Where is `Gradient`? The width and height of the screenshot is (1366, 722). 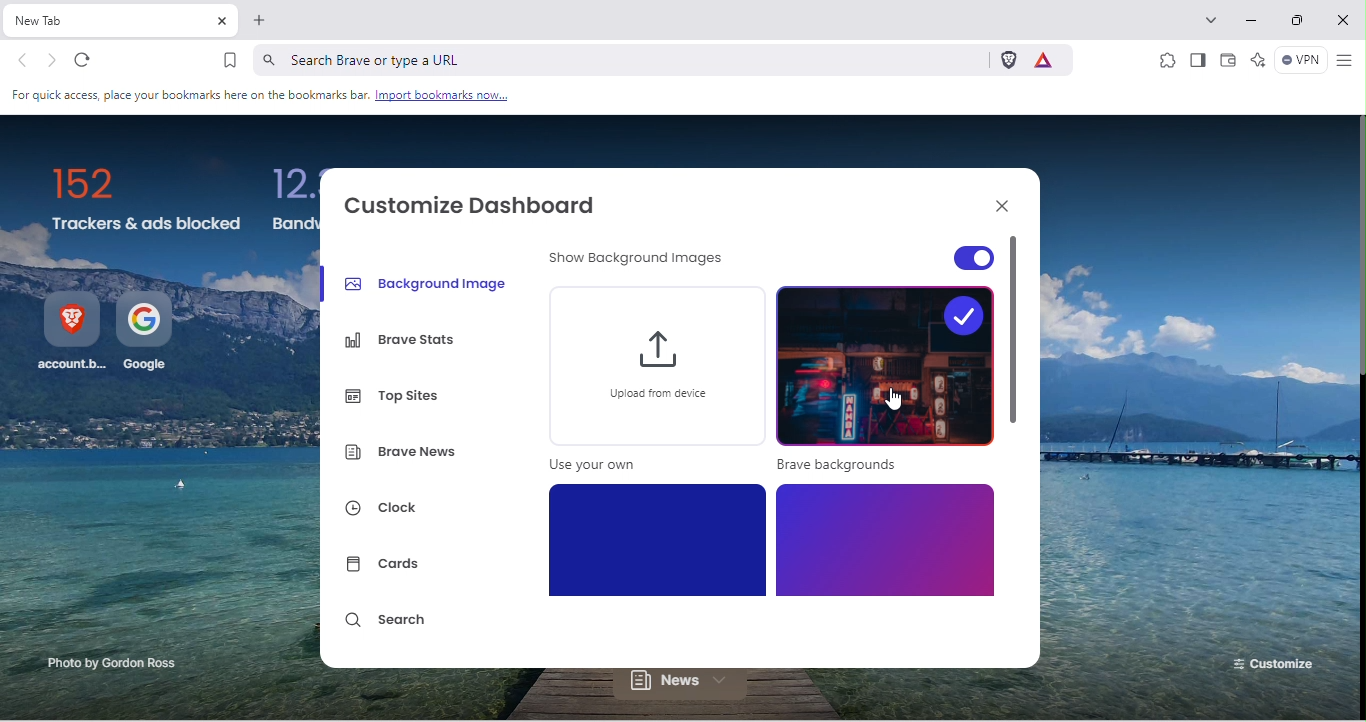 Gradient is located at coordinates (884, 540).